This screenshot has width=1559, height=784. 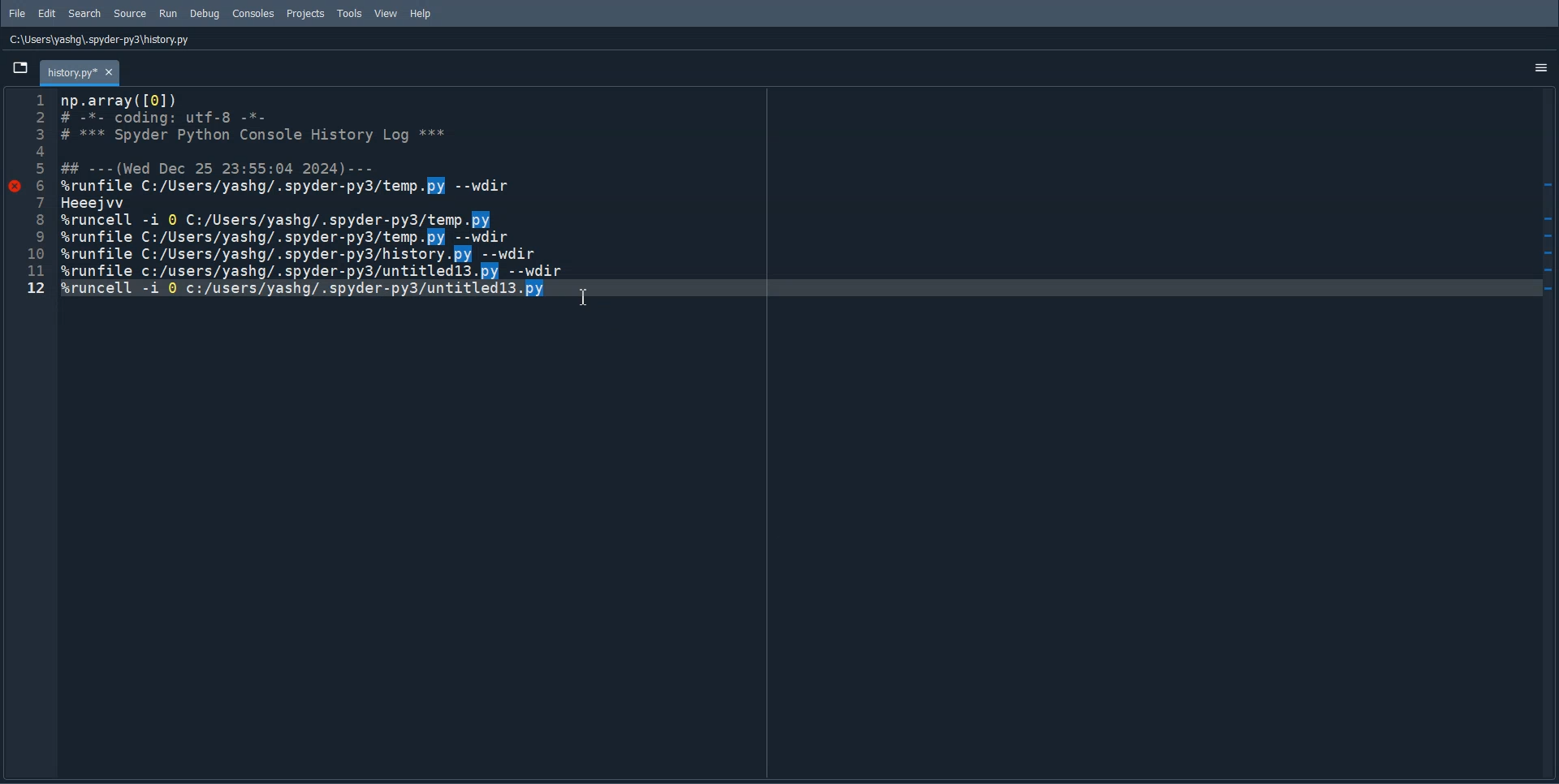 What do you see at coordinates (420, 14) in the screenshot?
I see `Help` at bounding box center [420, 14].